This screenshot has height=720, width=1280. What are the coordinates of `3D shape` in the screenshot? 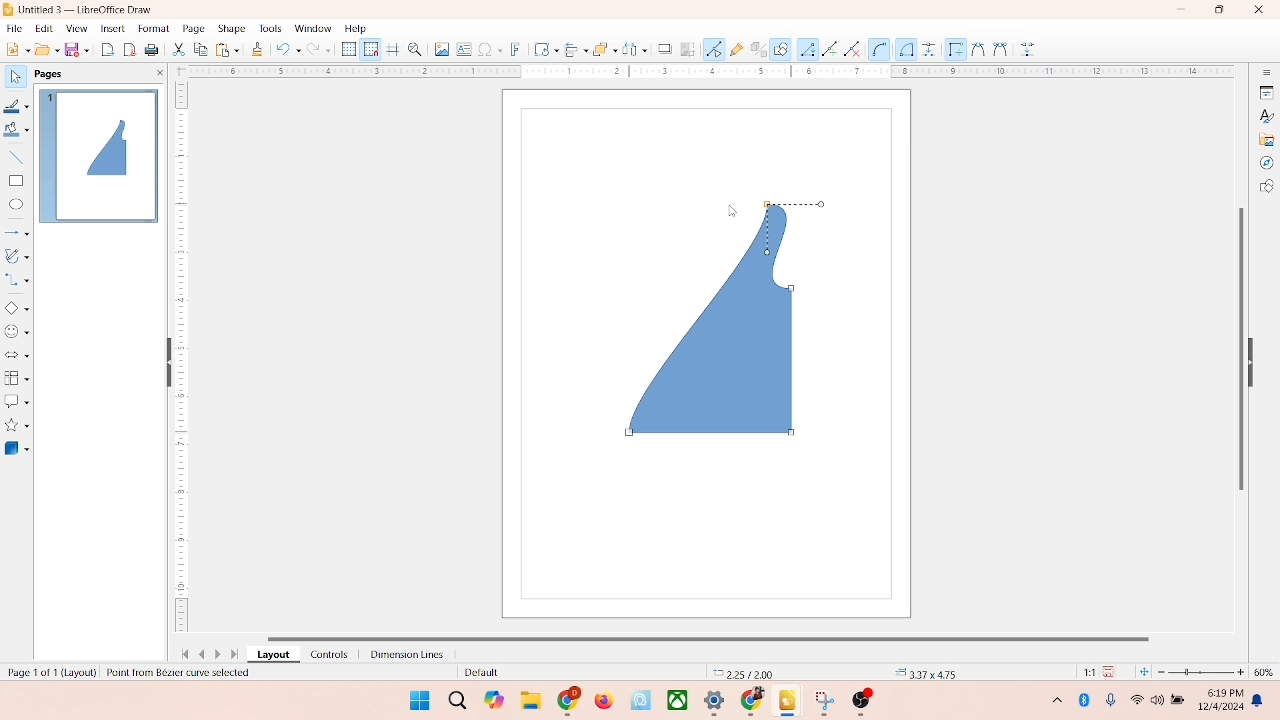 It's located at (17, 448).